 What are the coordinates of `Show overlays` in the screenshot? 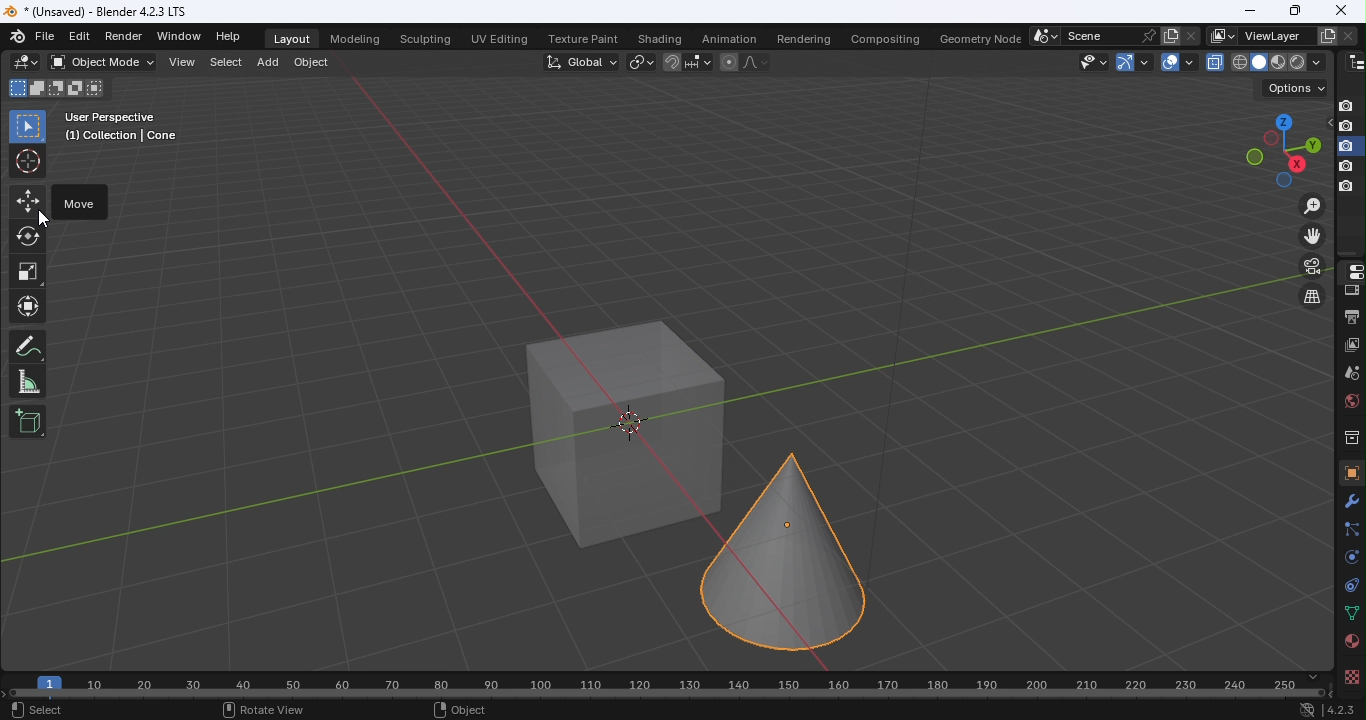 It's located at (1169, 62).